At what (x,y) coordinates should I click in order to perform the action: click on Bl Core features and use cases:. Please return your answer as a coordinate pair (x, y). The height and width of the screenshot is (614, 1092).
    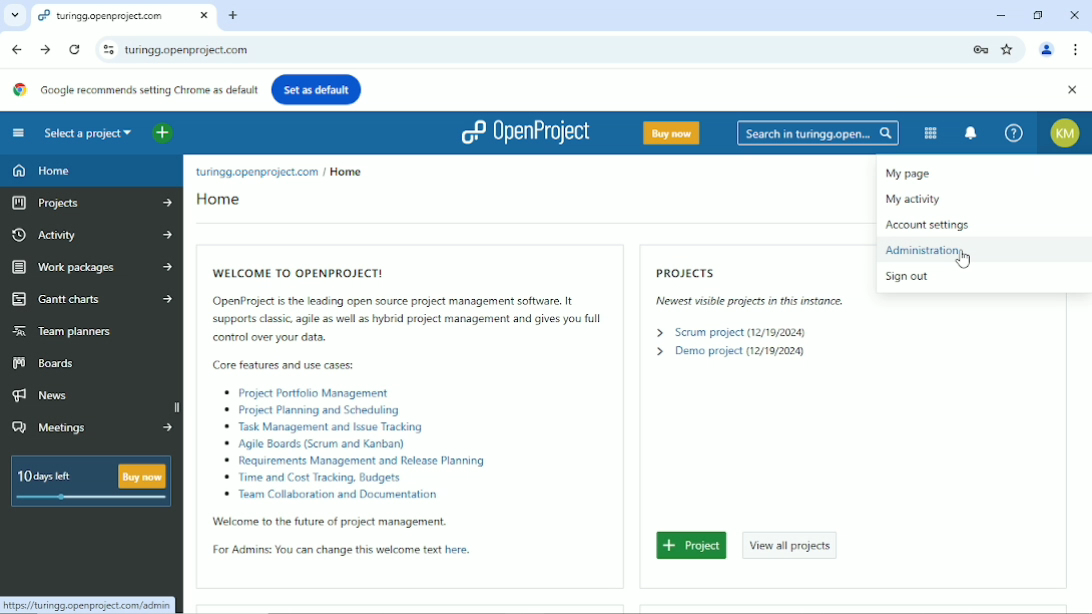
    Looking at the image, I should click on (285, 365).